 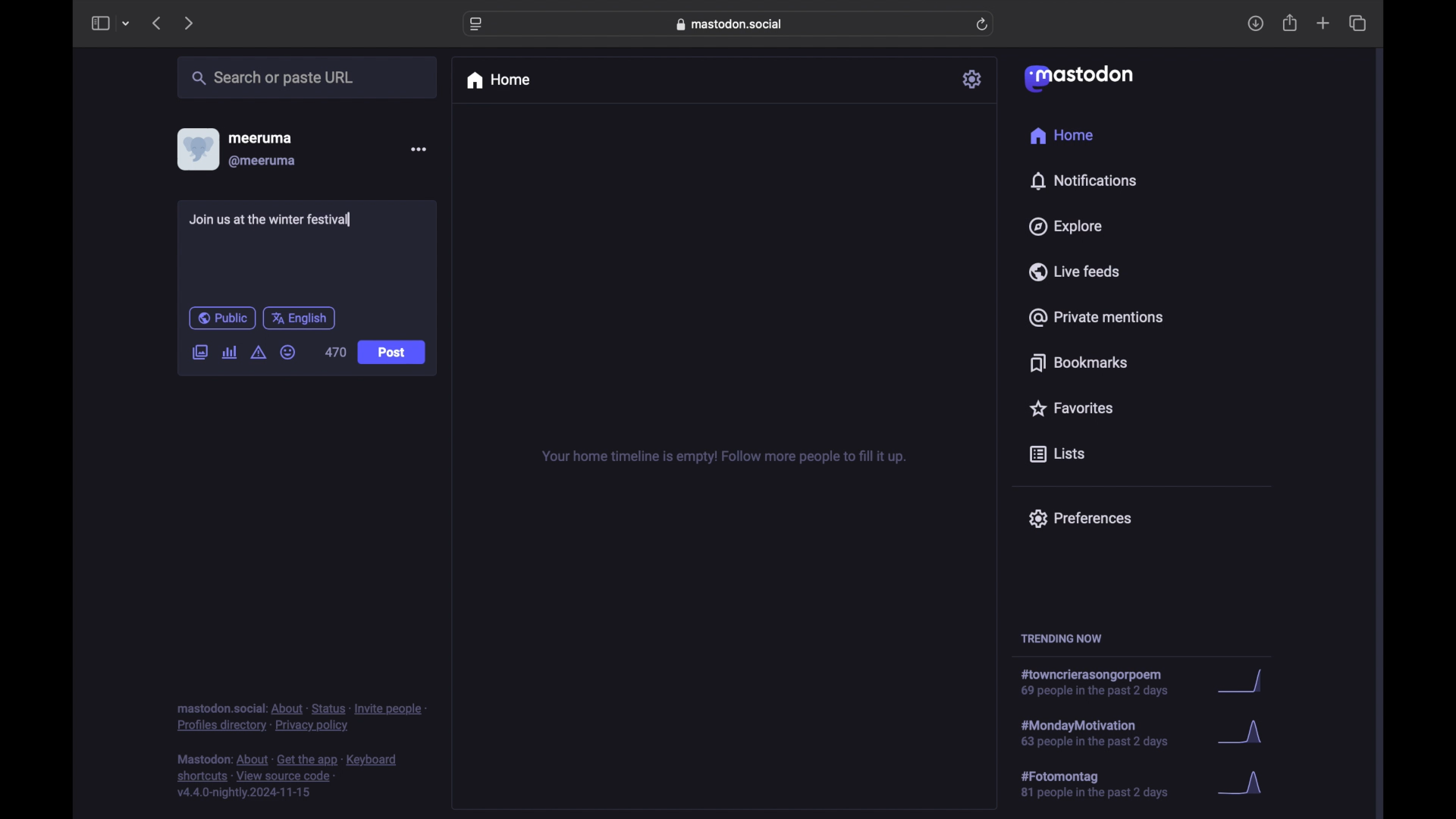 What do you see at coordinates (1083, 180) in the screenshot?
I see `notifications` at bounding box center [1083, 180].